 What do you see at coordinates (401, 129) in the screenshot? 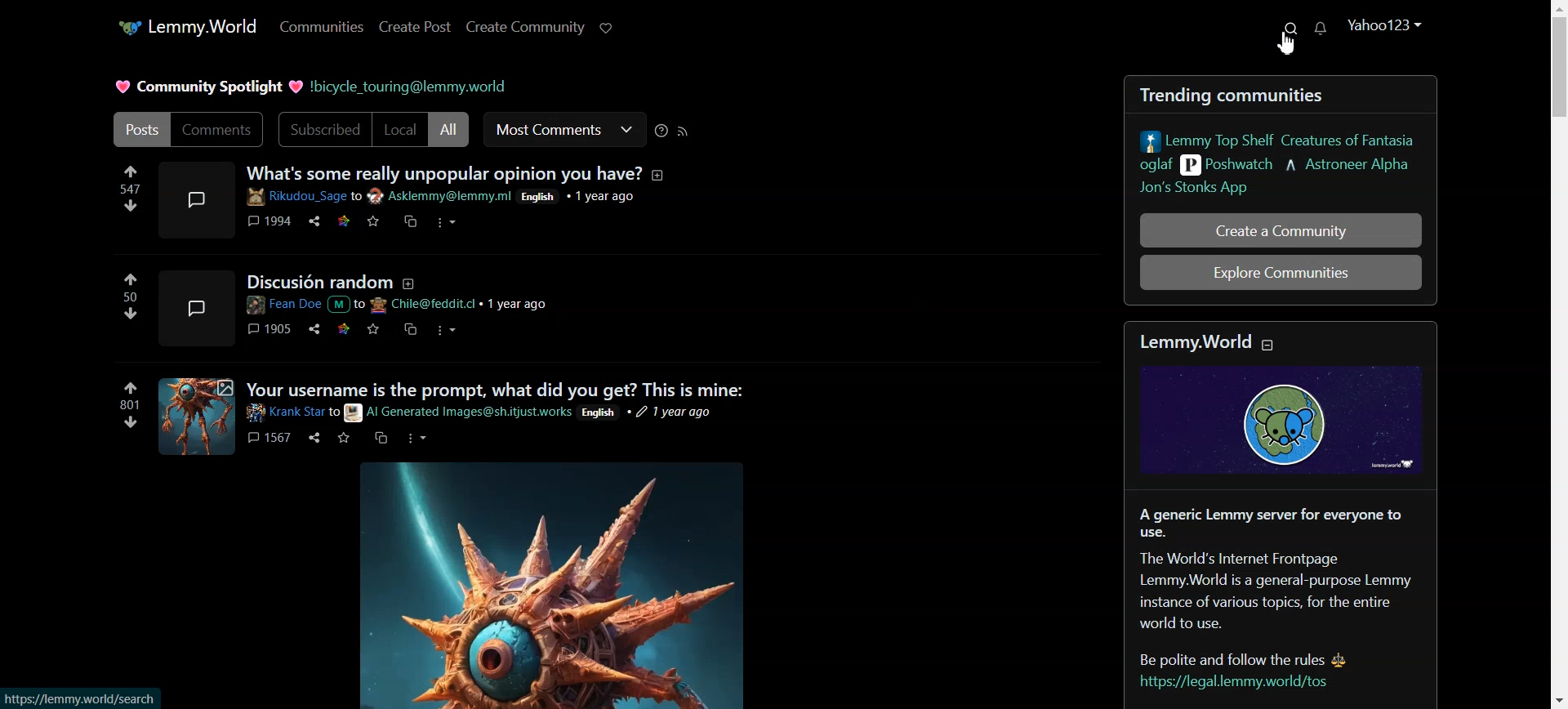
I see `Local` at bounding box center [401, 129].